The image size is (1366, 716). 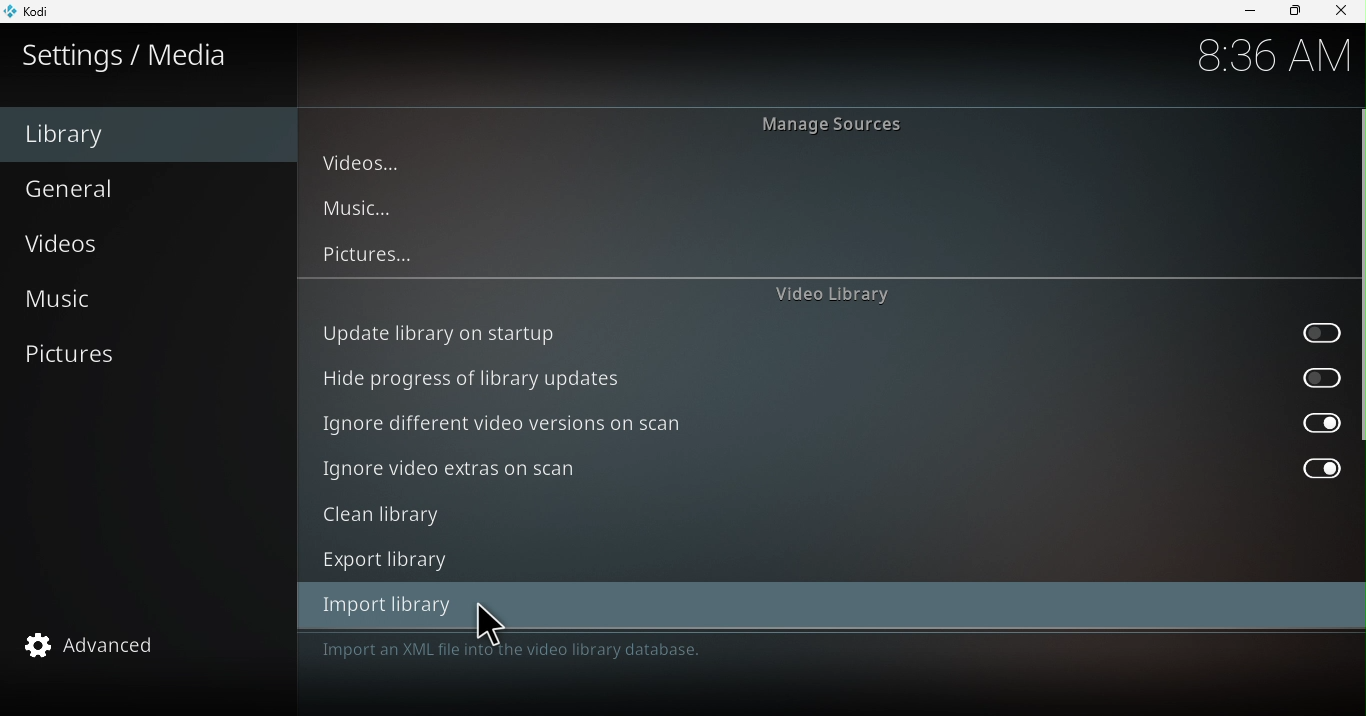 What do you see at coordinates (367, 210) in the screenshot?
I see `Music` at bounding box center [367, 210].